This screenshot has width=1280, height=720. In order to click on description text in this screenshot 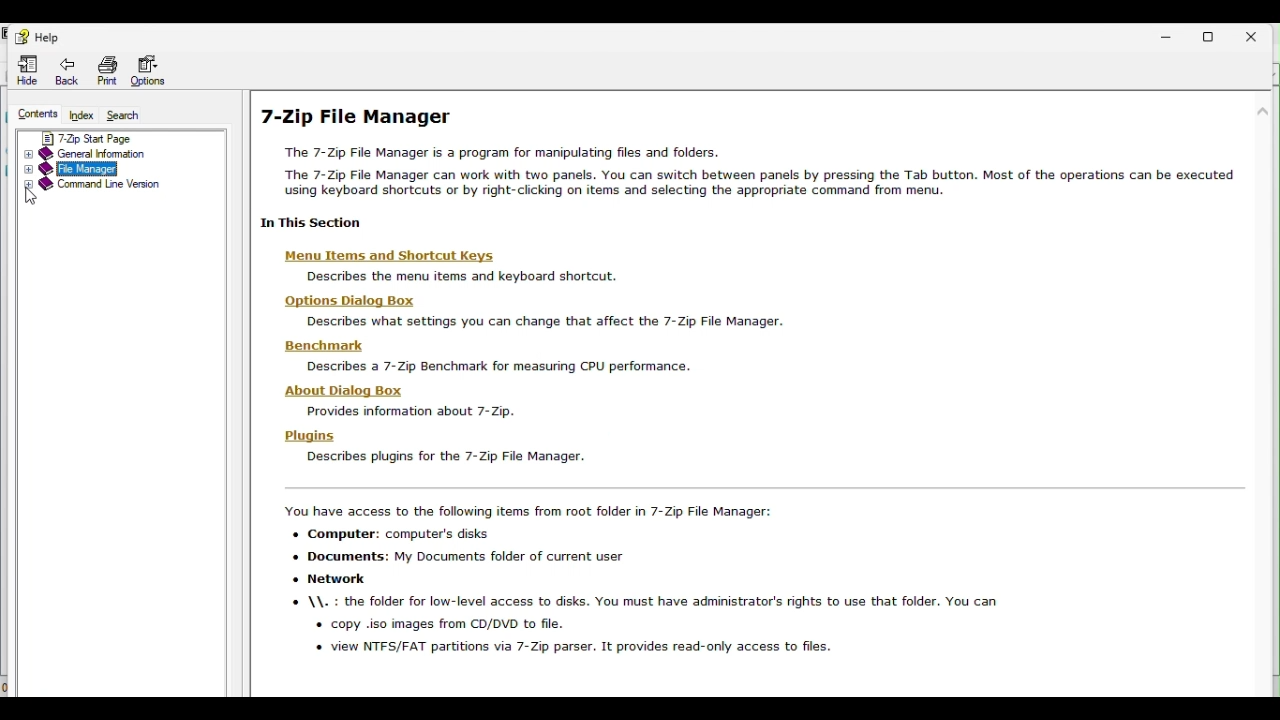, I will do `click(488, 368)`.